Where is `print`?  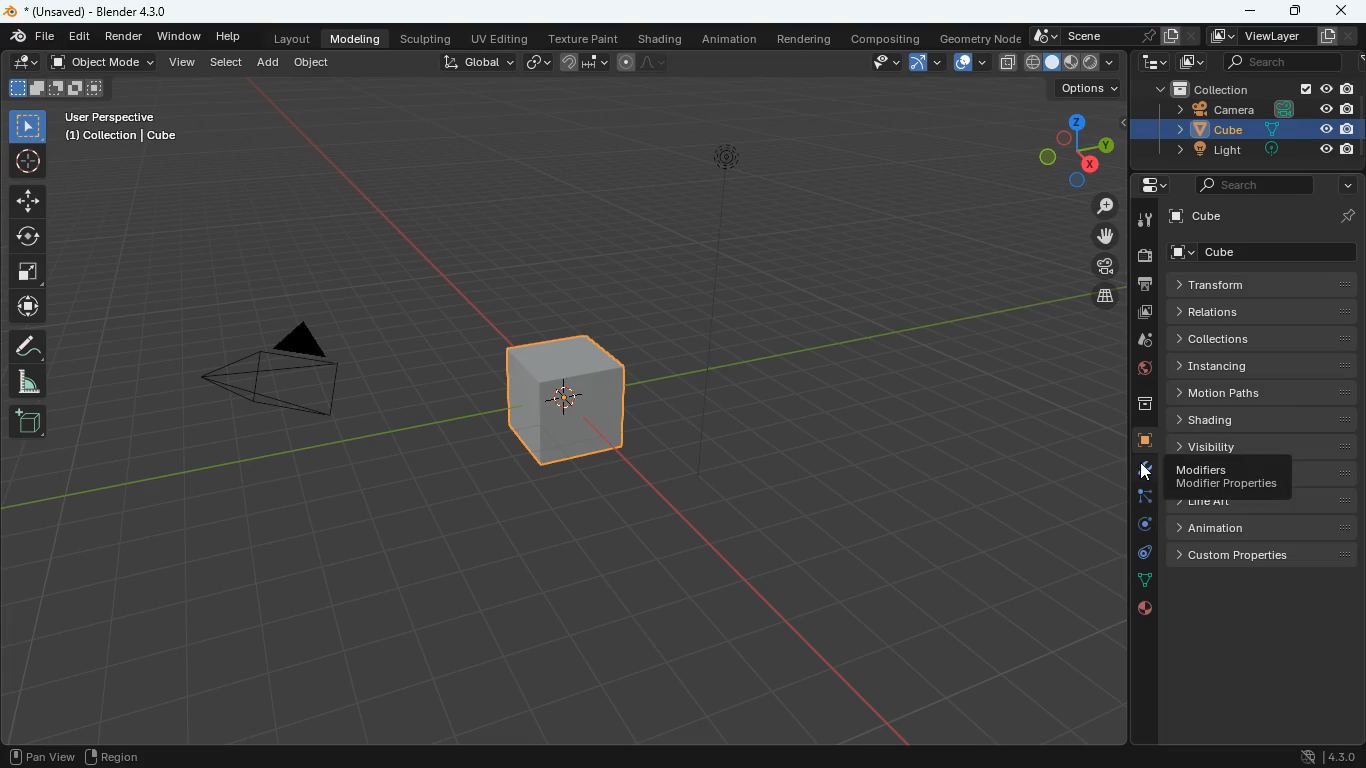 print is located at coordinates (1143, 286).